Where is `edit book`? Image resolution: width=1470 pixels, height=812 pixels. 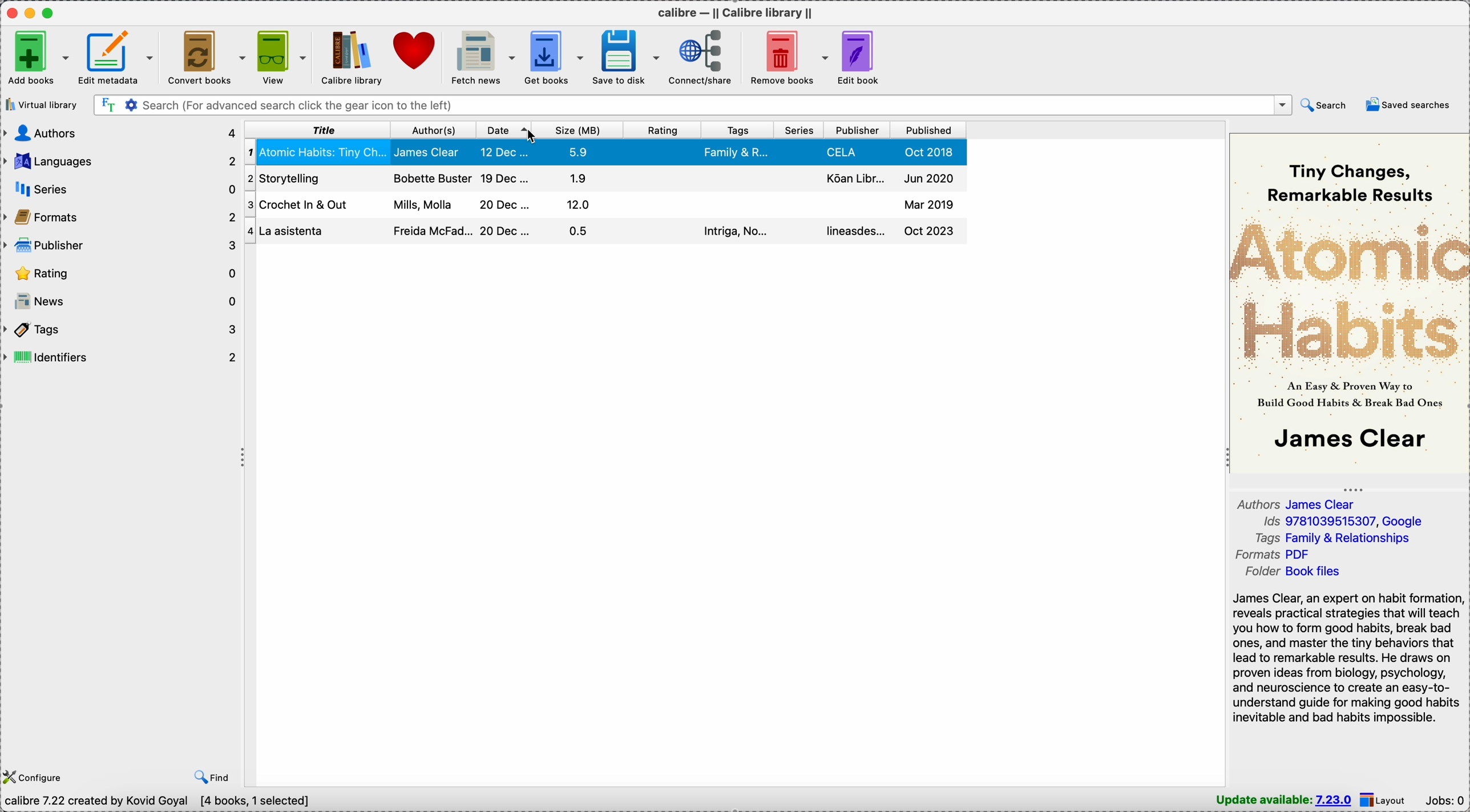
edit book is located at coordinates (860, 58).